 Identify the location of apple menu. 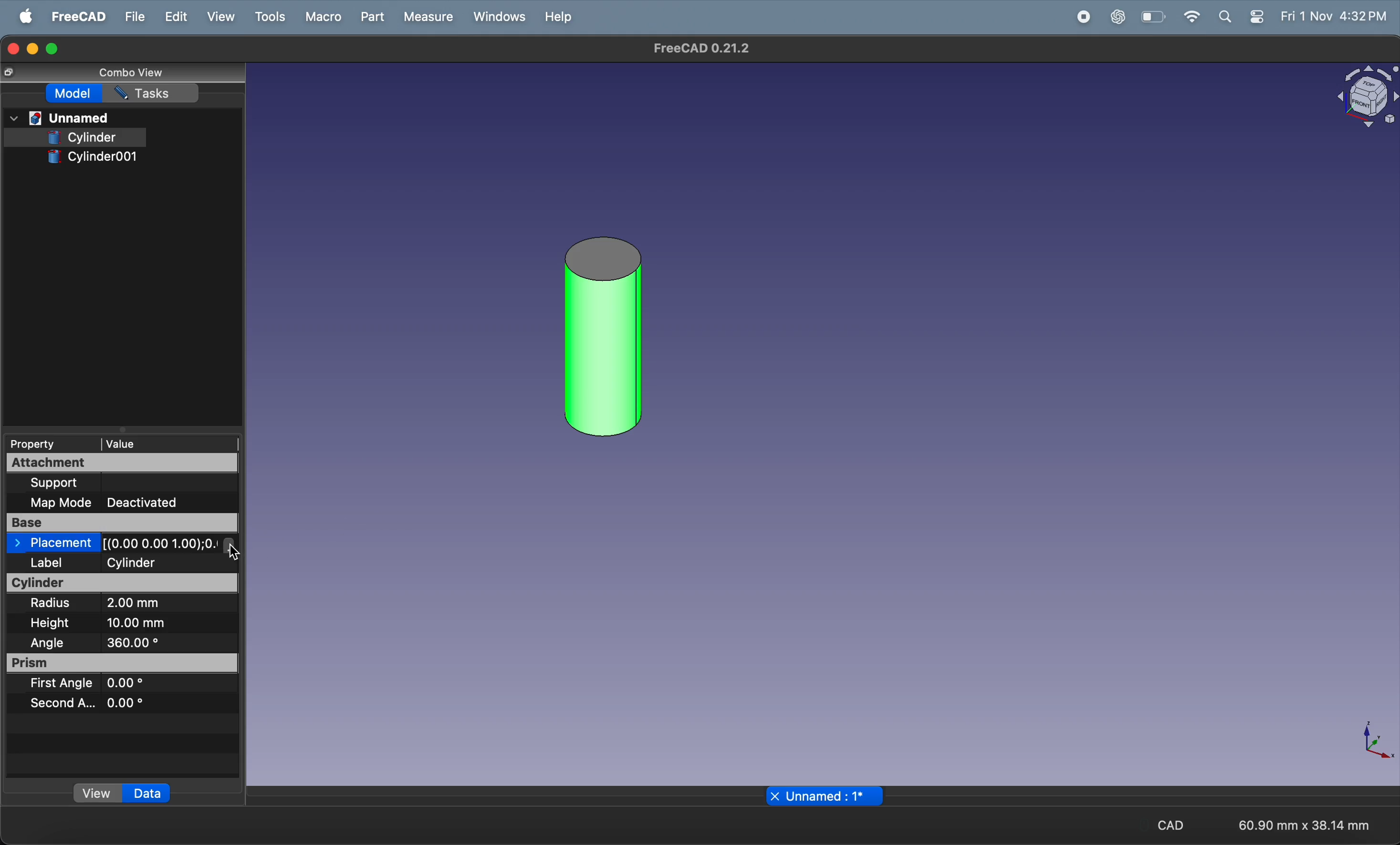
(21, 16).